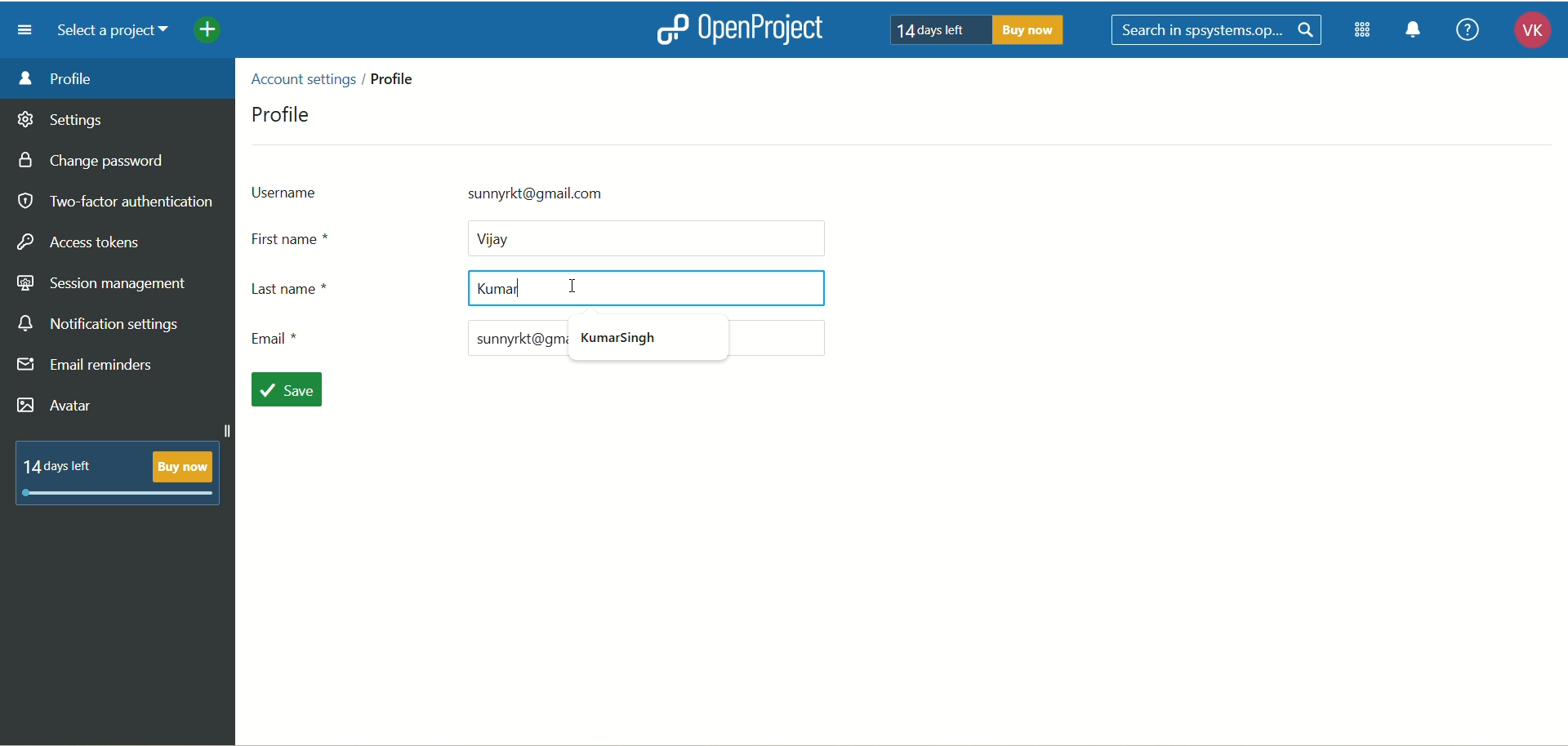  What do you see at coordinates (119, 33) in the screenshot?
I see `select a project` at bounding box center [119, 33].